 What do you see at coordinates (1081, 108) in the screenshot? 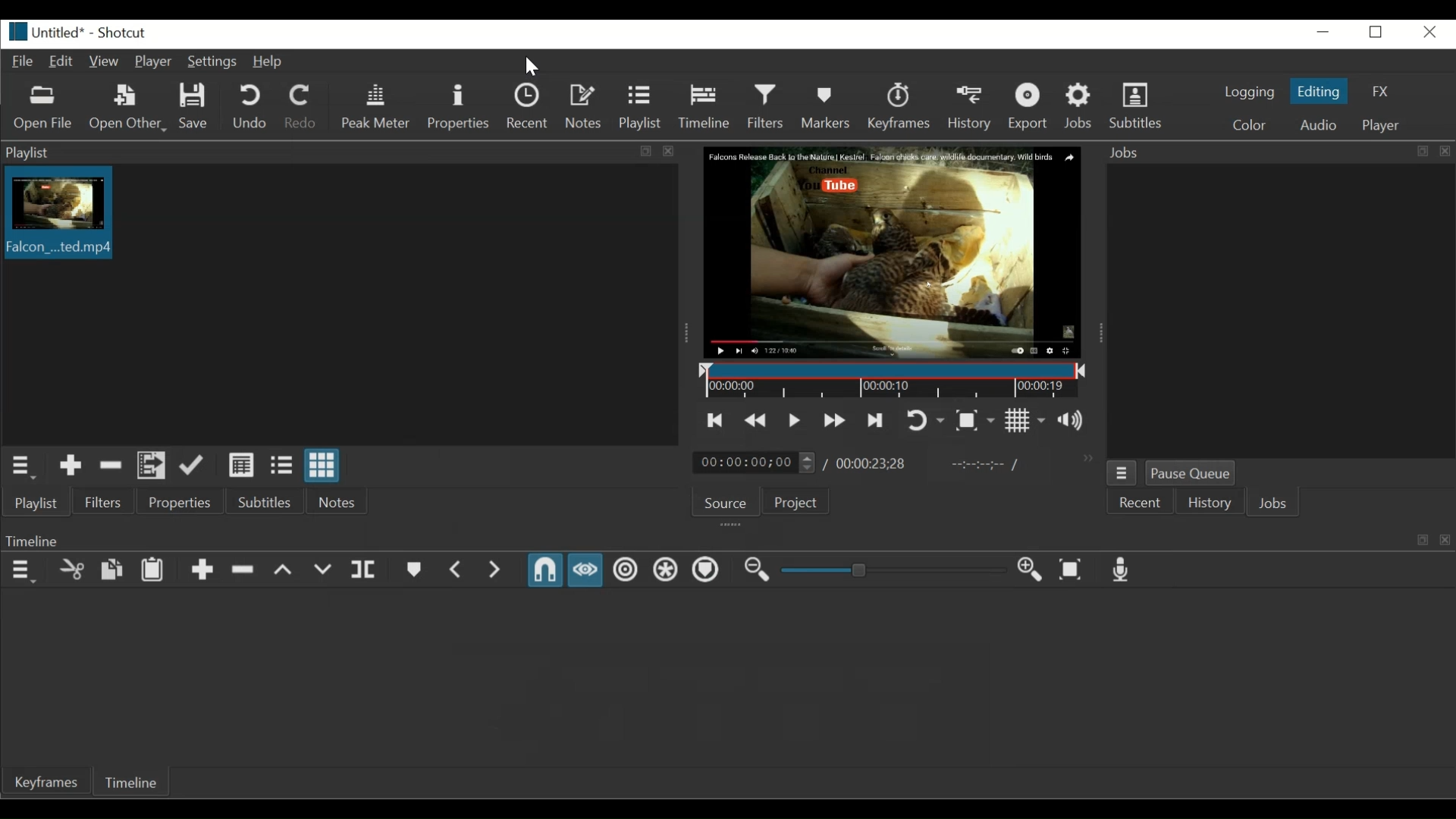
I see `Jobs` at bounding box center [1081, 108].